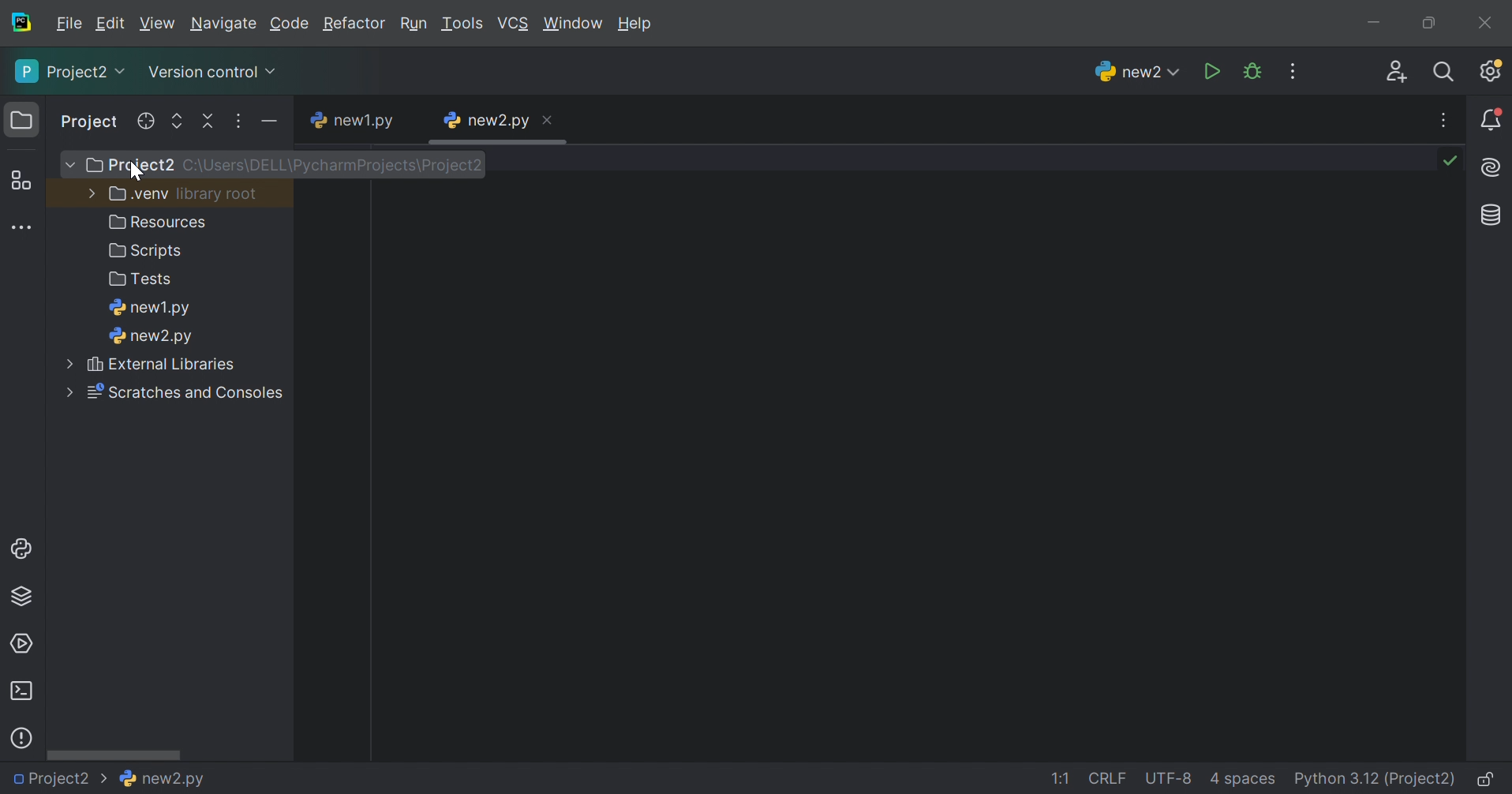 The image size is (1512, 794). What do you see at coordinates (1488, 215) in the screenshot?
I see `Database` at bounding box center [1488, 215].